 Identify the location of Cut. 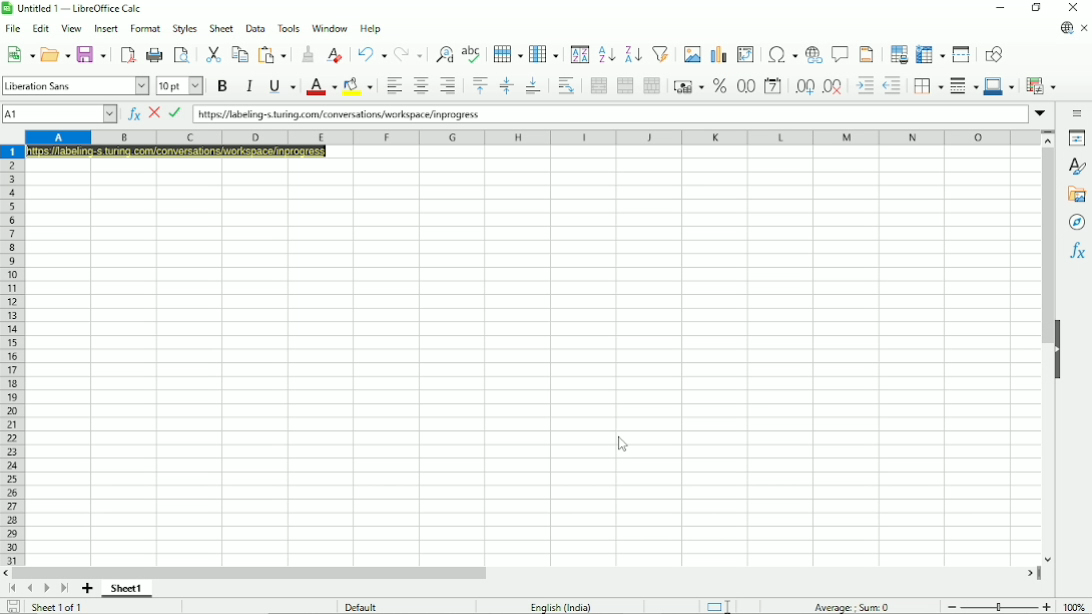
(214, 54).